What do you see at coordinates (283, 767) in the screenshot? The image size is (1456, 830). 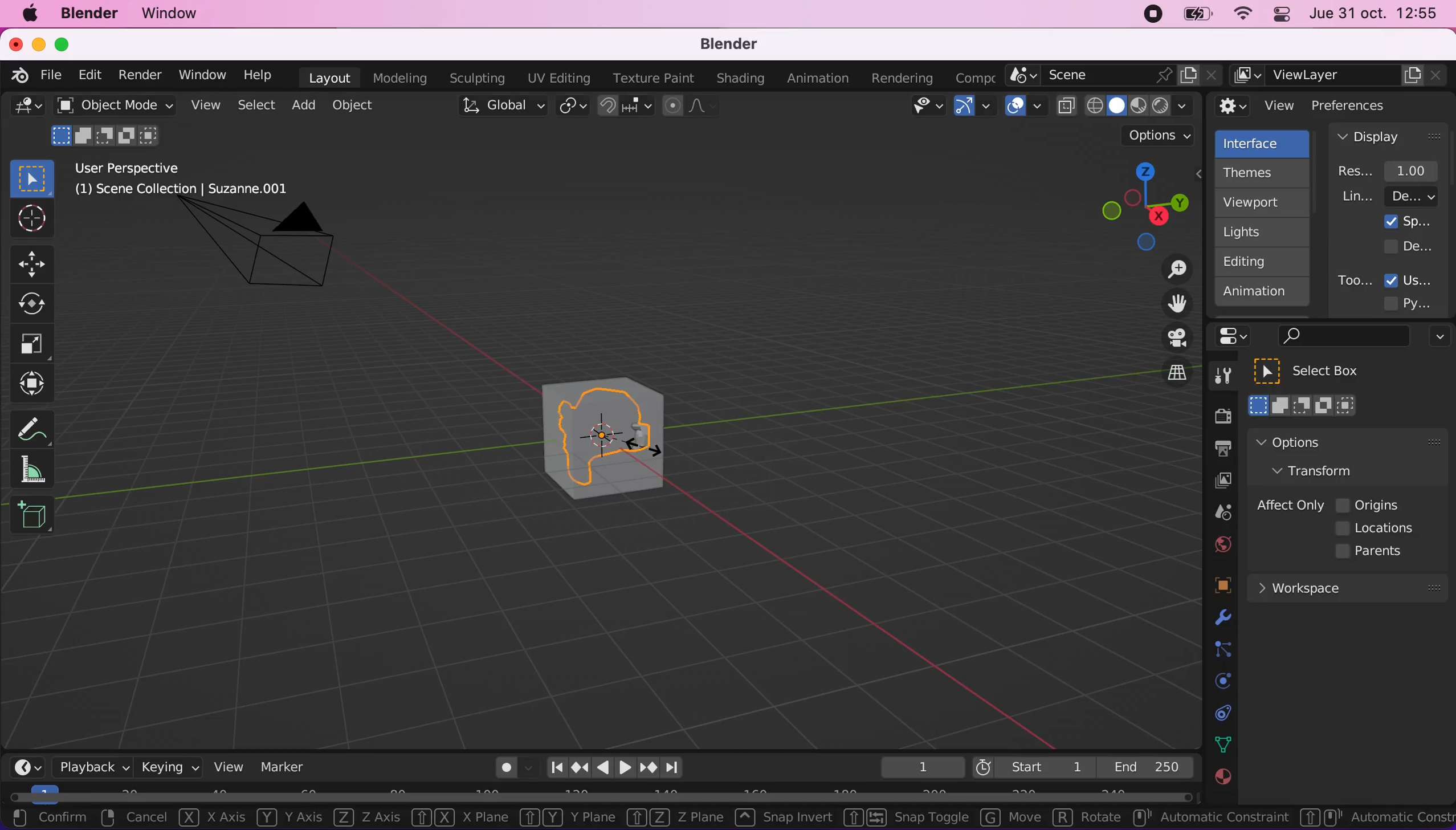 I see `marker` at bounding box center [283, 767].